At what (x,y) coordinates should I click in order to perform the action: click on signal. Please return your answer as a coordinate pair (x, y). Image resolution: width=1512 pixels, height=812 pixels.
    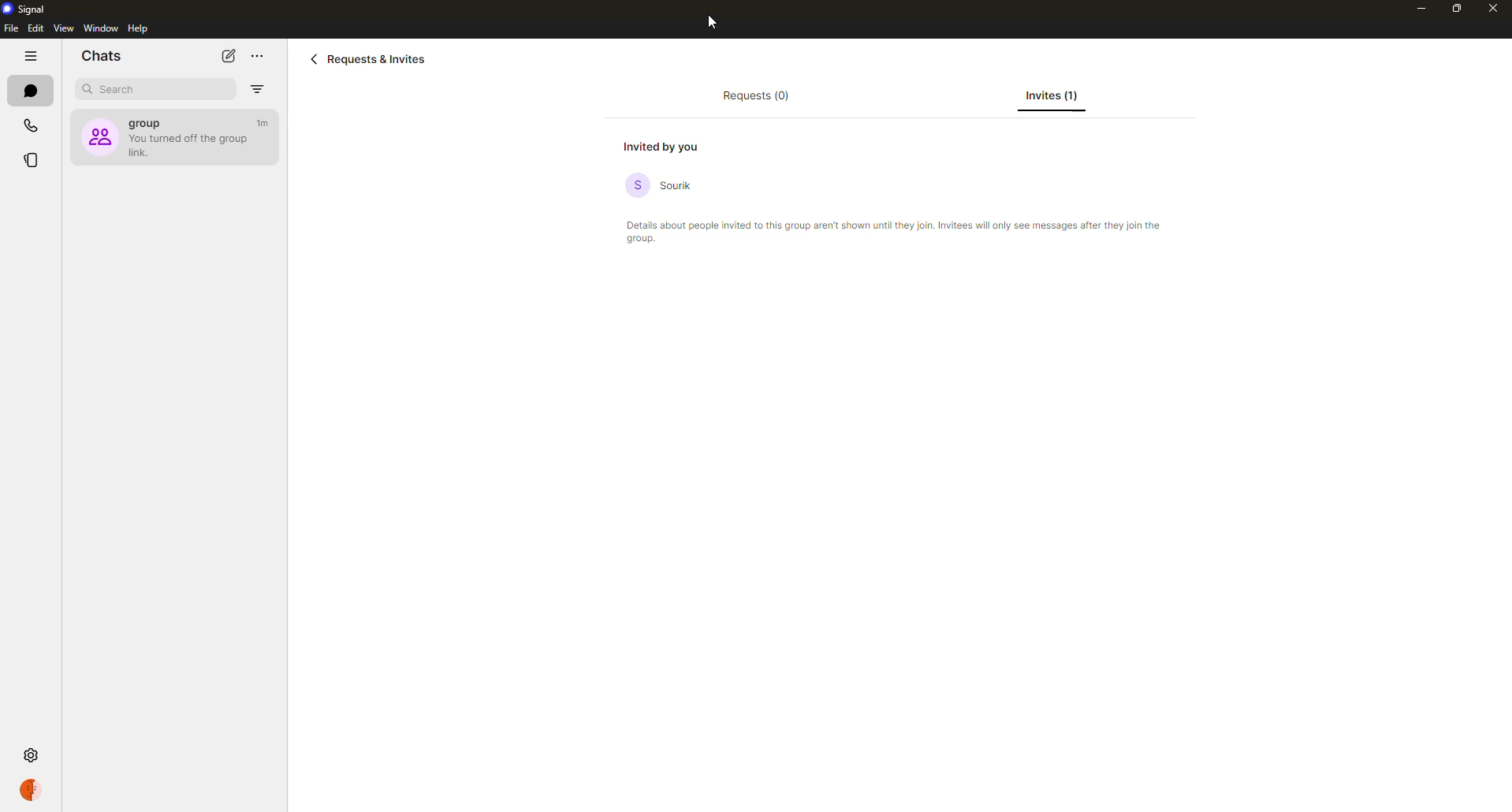
    Looking at the image, I should click on (29, 11).